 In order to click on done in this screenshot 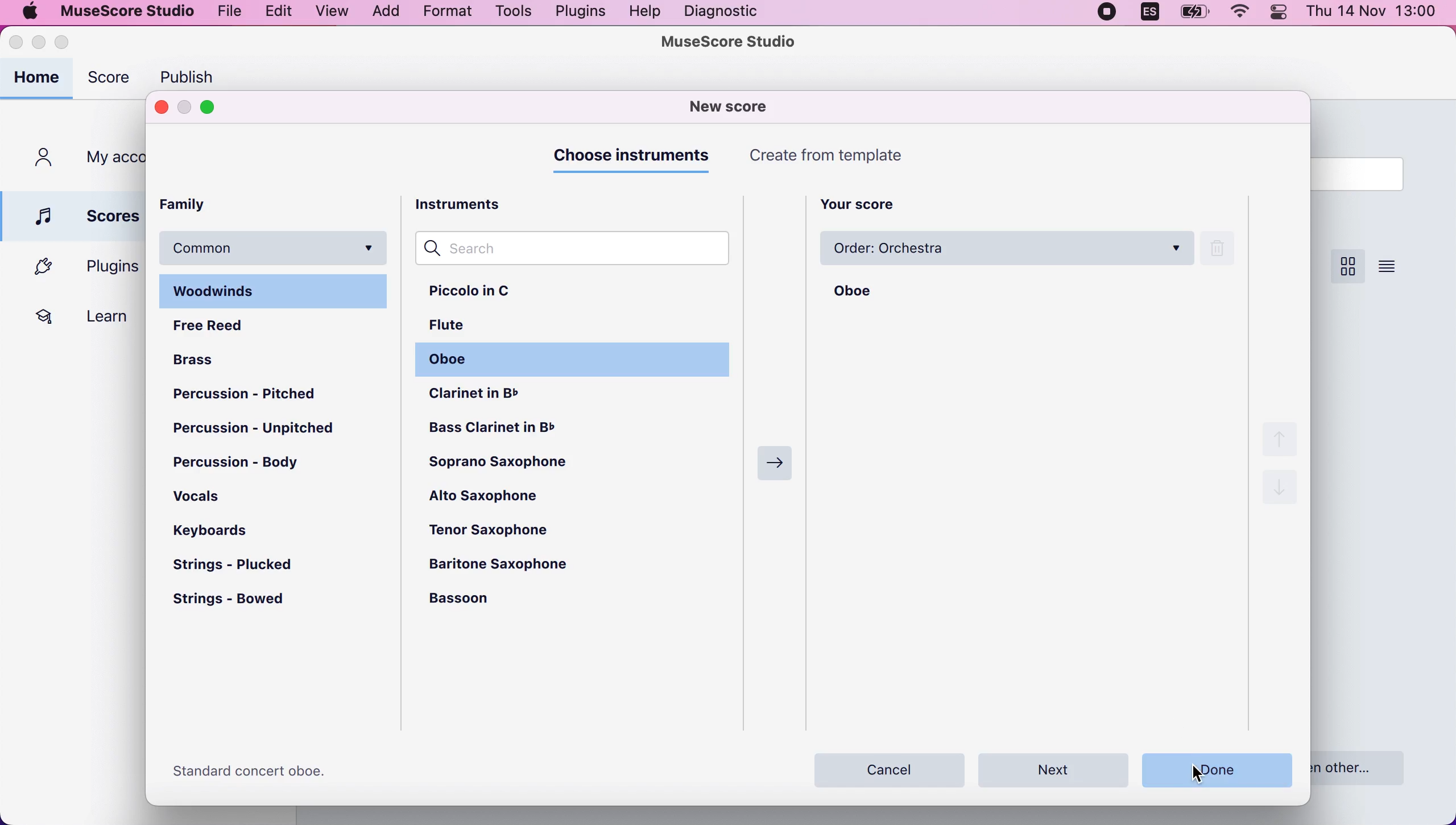, I will do `click(1217, 769)`.